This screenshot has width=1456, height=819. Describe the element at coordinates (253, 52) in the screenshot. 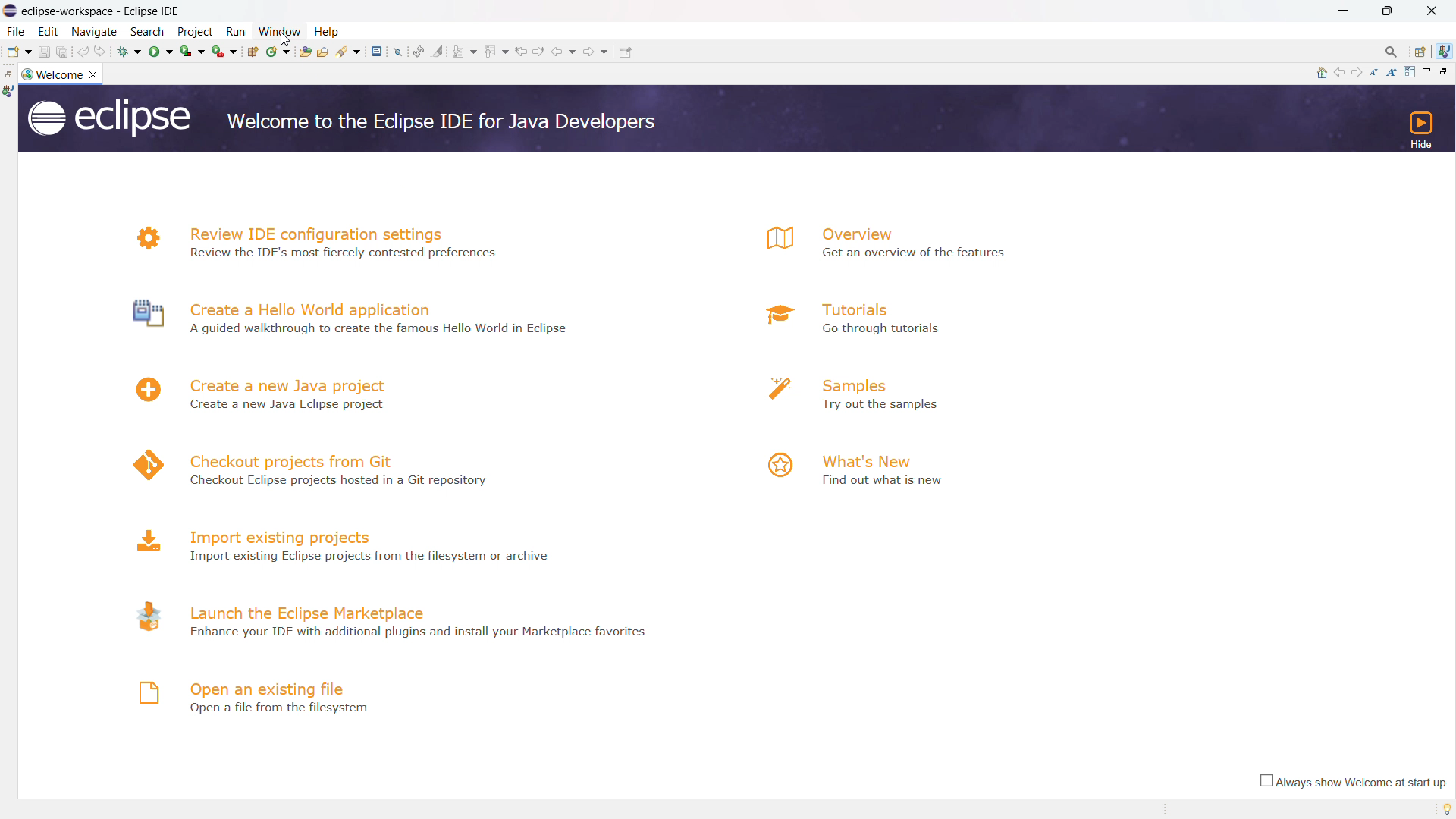

I see `new java package` at that location.